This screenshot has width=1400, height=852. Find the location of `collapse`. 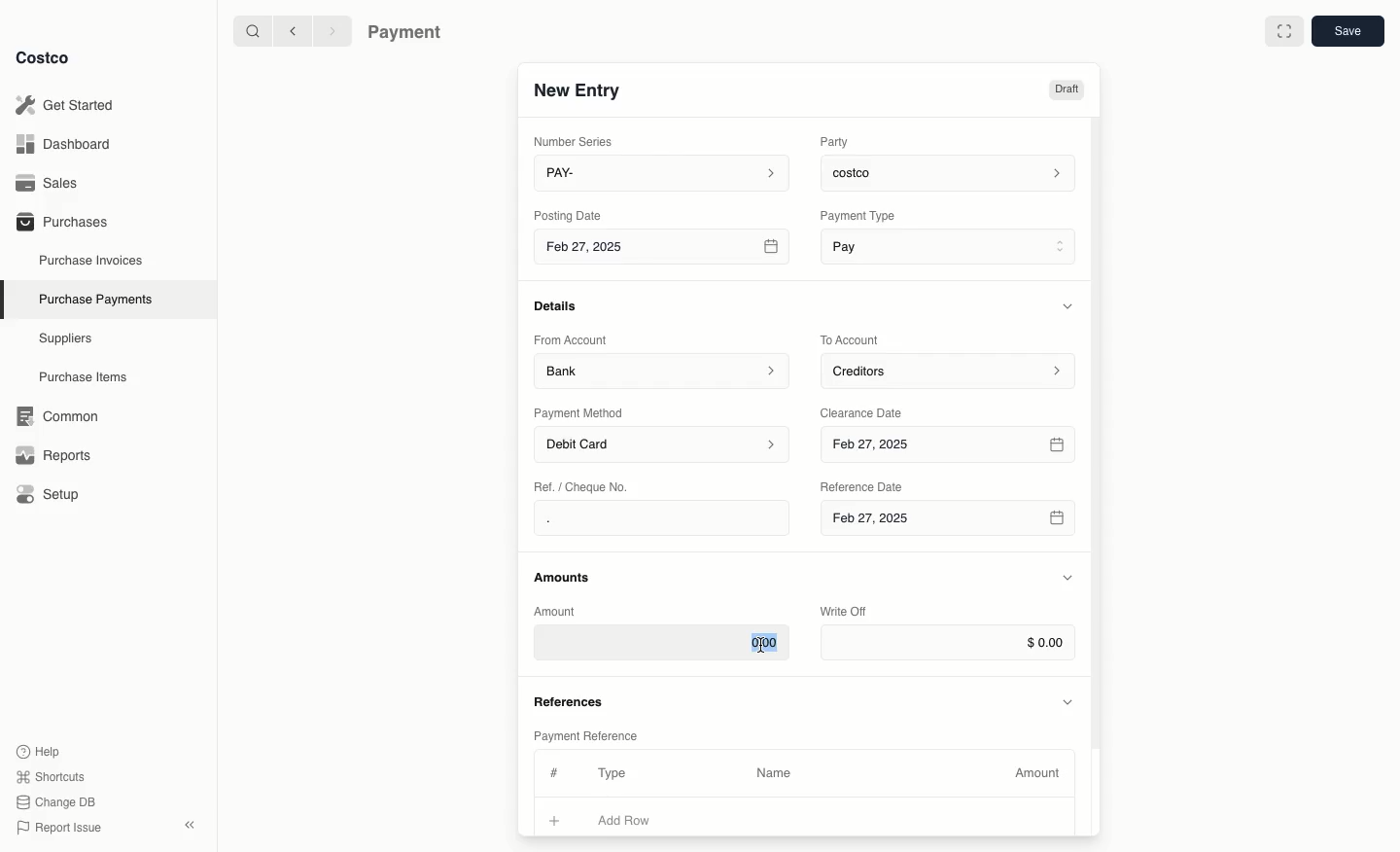

collapse is located at coordinates (189, 825).